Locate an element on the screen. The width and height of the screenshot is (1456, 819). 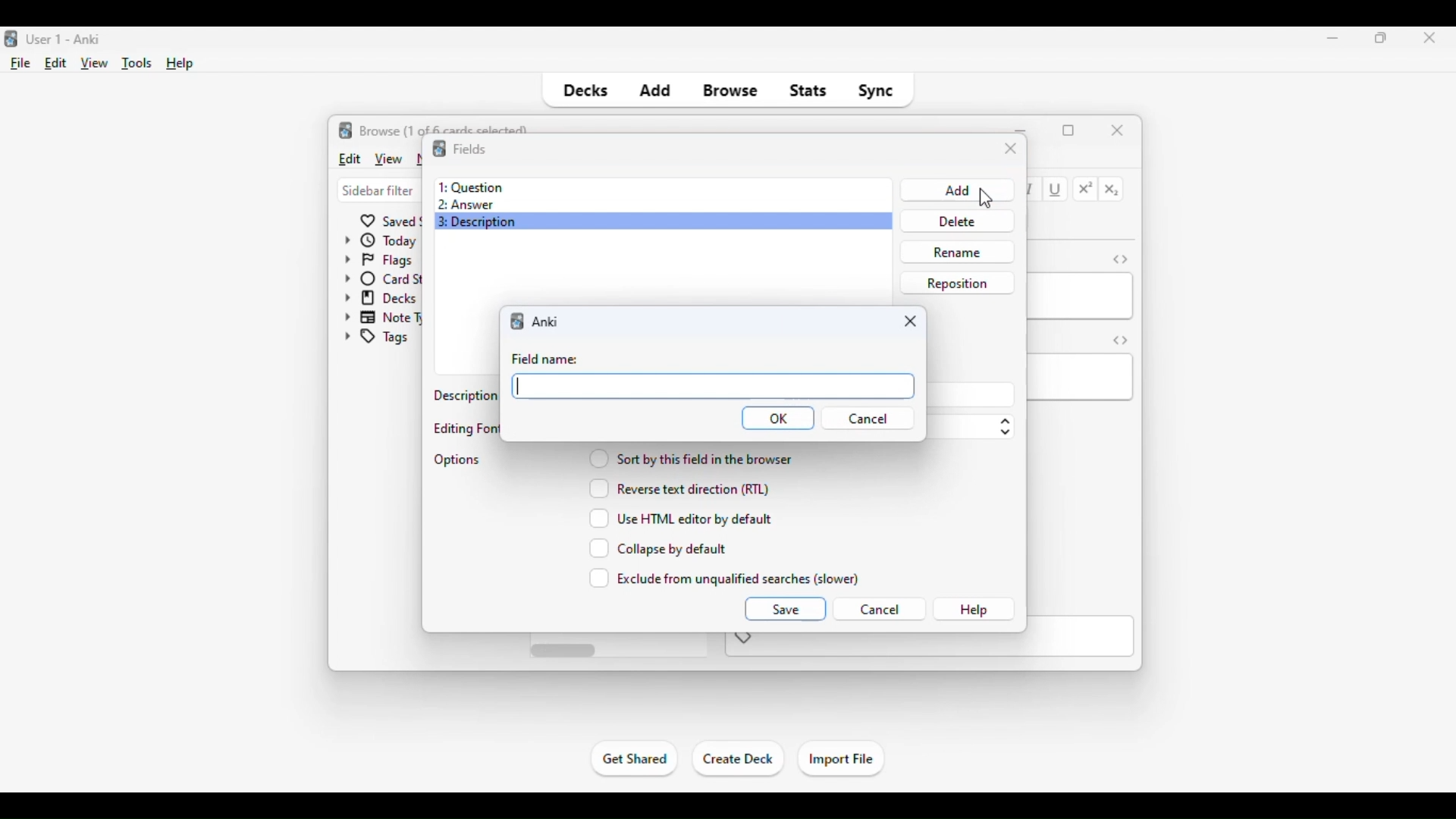
maximize is located at coordinates (1382, 37).